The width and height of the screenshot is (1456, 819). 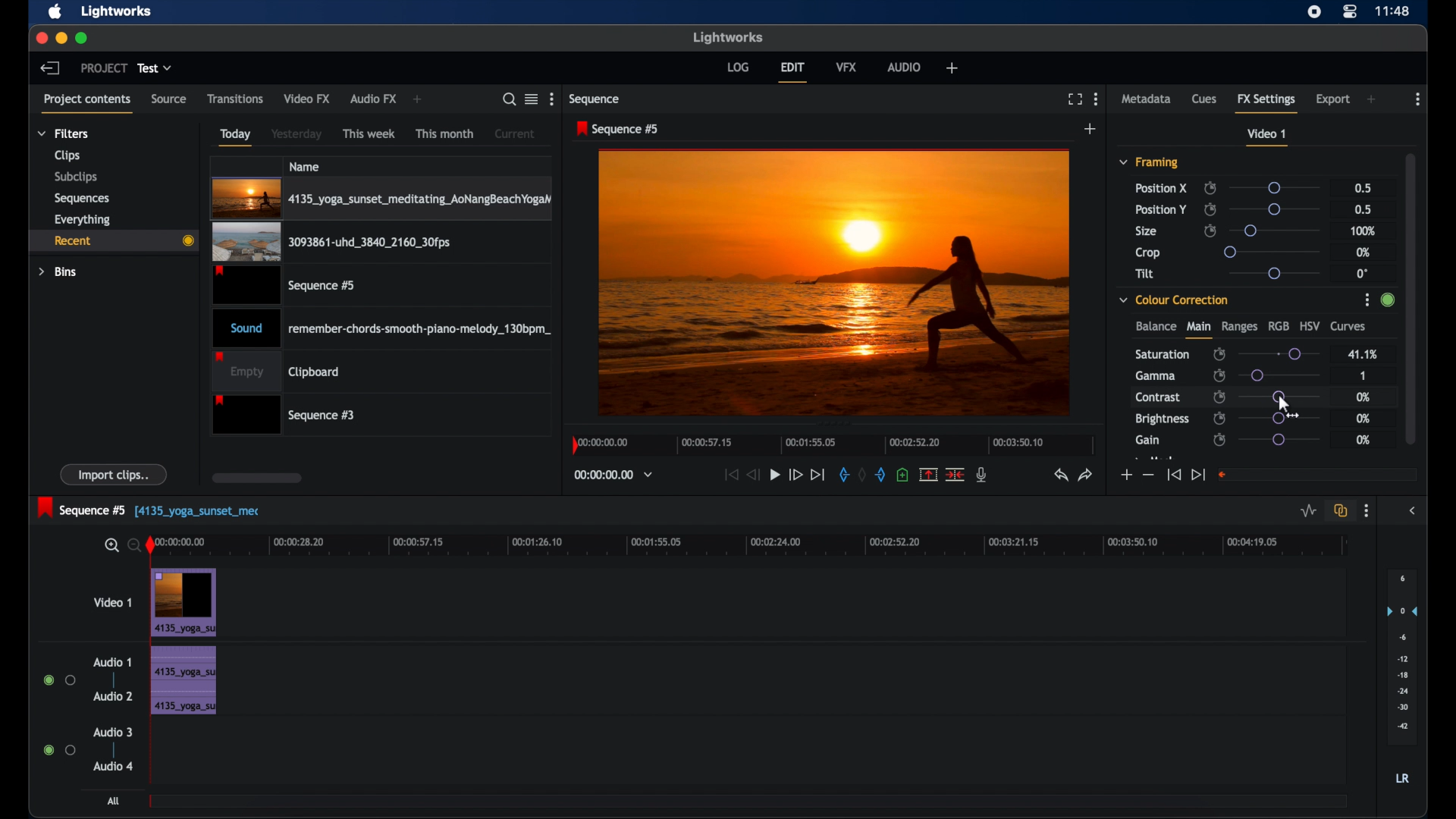 What do you see at coordinates (1364, 252) in the screenshot?
I see `0%` at bounding box center [1364, 252].